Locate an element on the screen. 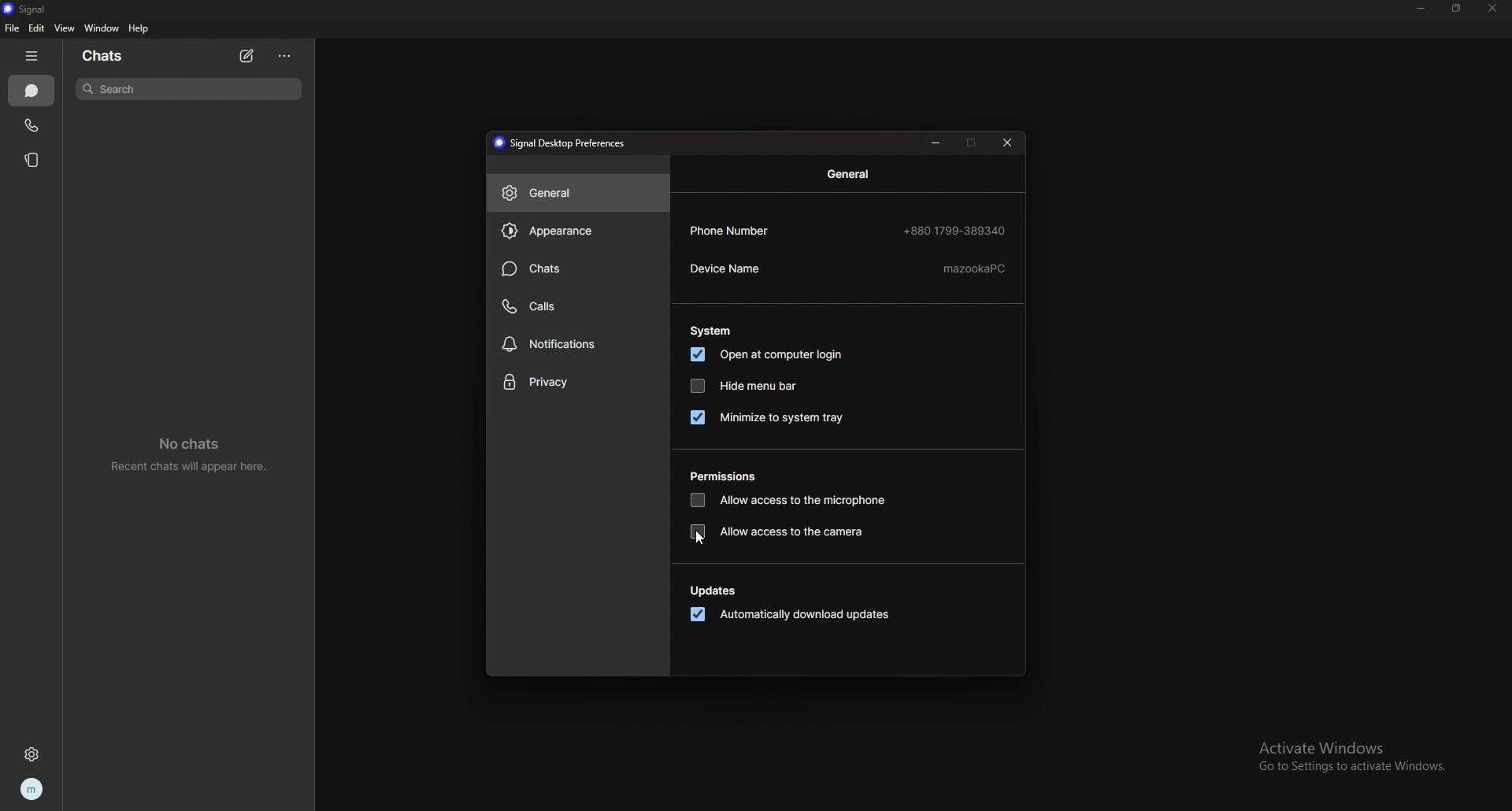 The image size is (1512, 811). close is located at coordinates (1492, 9).